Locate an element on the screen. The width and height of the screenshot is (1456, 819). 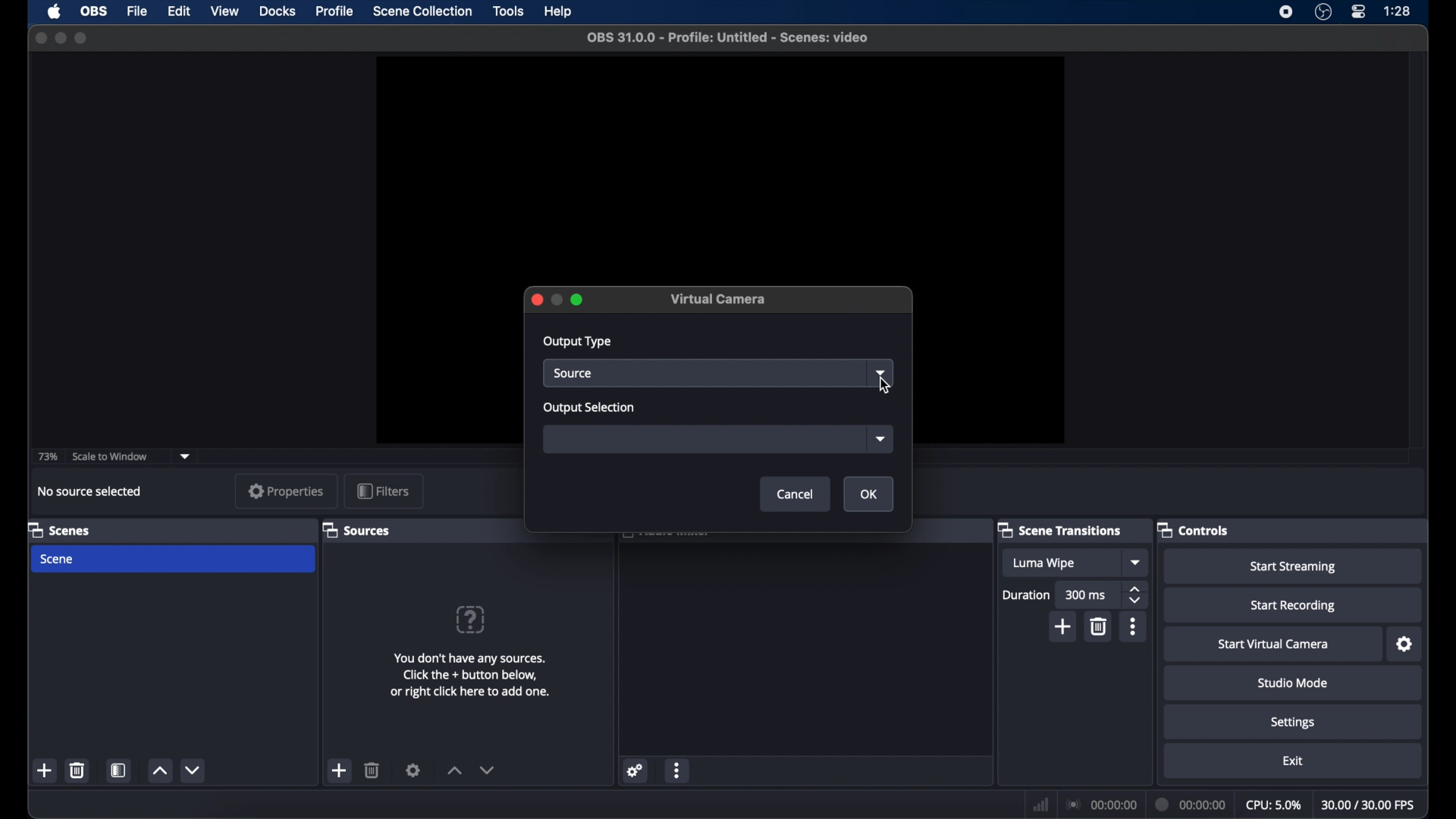
start recording is located at coordinates (1293, 604).